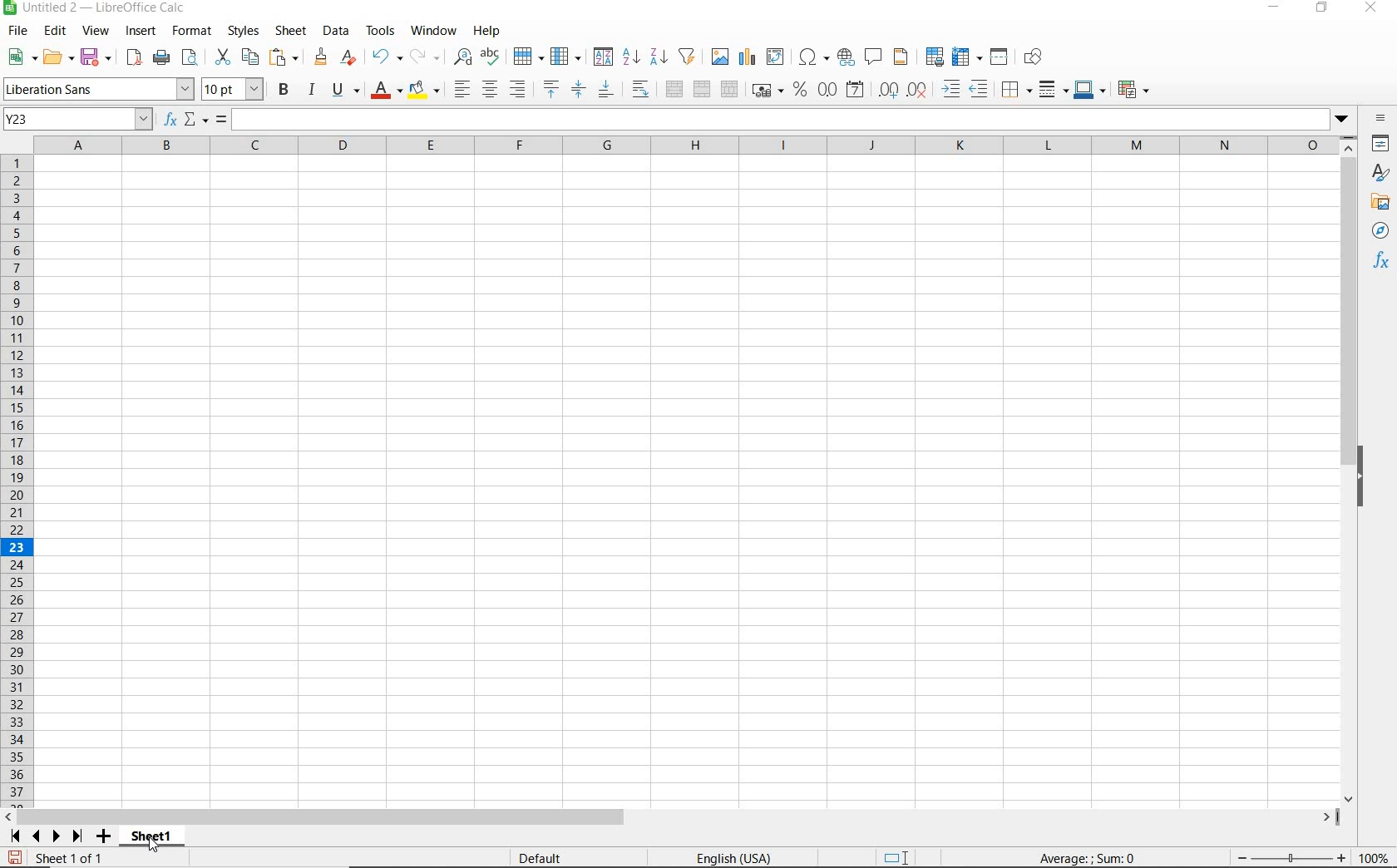 The image size is (1397, 868). I want to click on INSERT CHART, so click(748, 57).